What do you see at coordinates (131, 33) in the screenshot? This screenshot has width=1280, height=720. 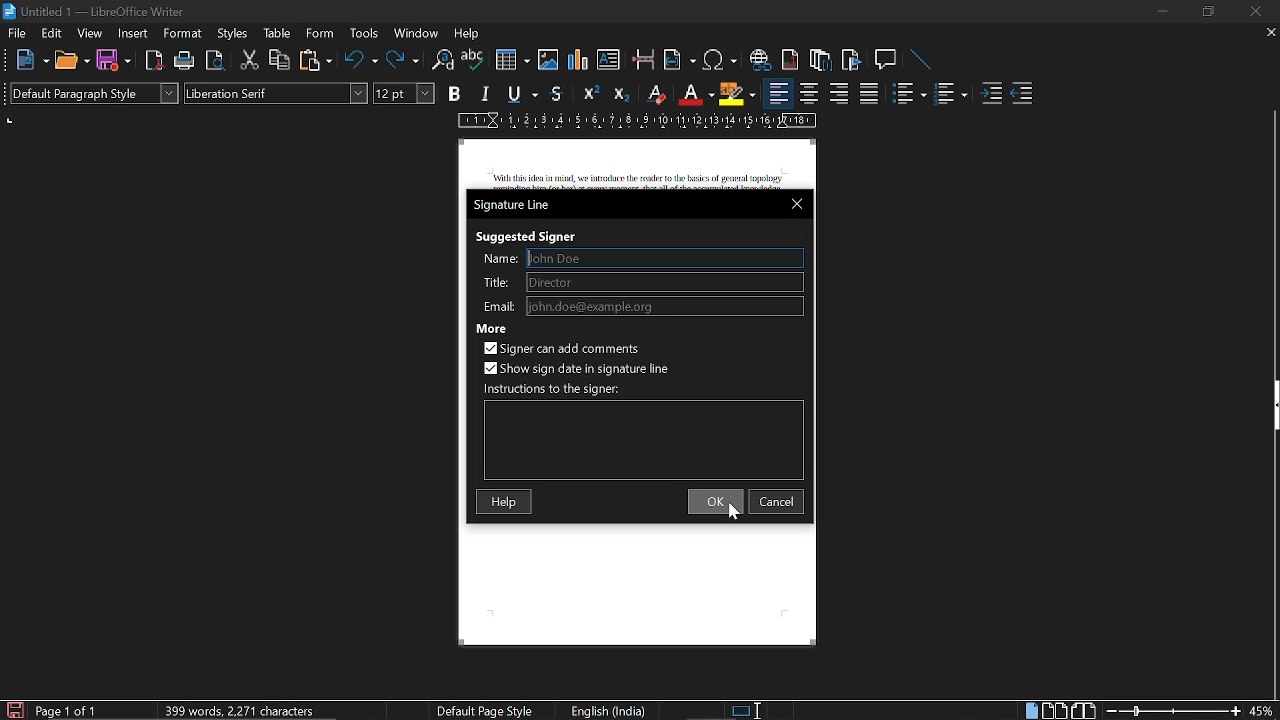 I see `insert` at bounding box center [131, 33].